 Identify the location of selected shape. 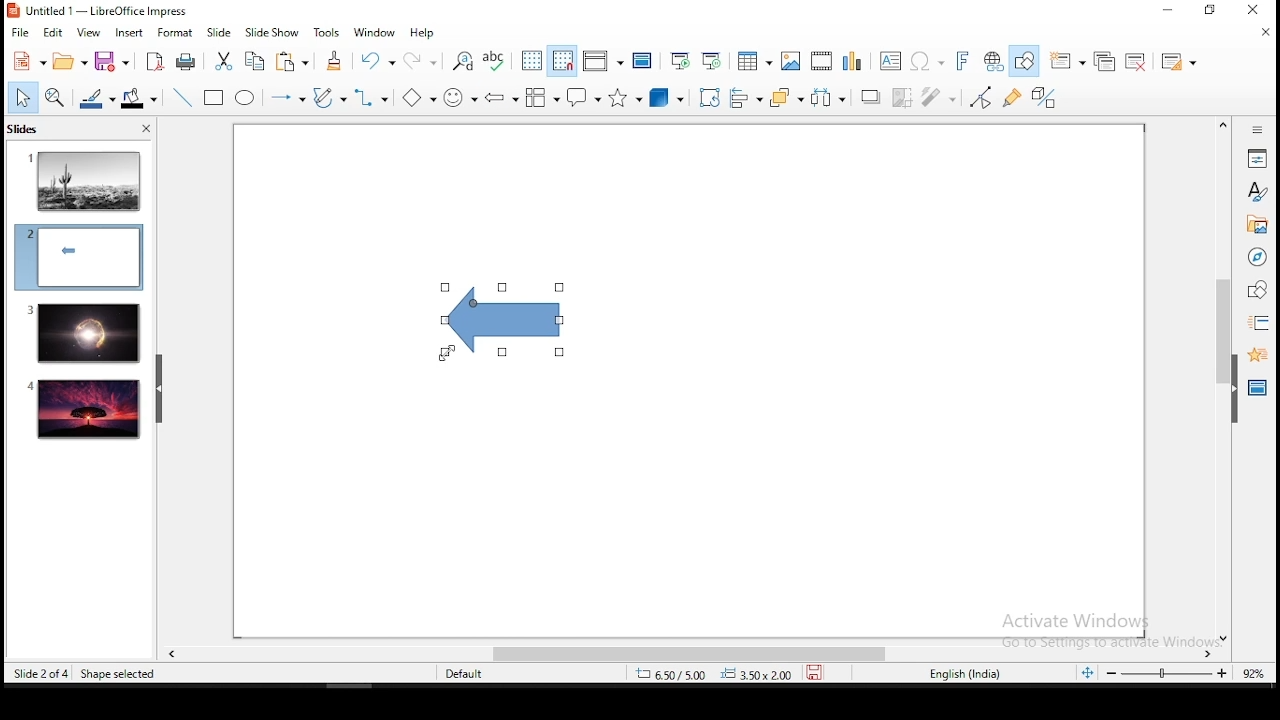
(500, 322).